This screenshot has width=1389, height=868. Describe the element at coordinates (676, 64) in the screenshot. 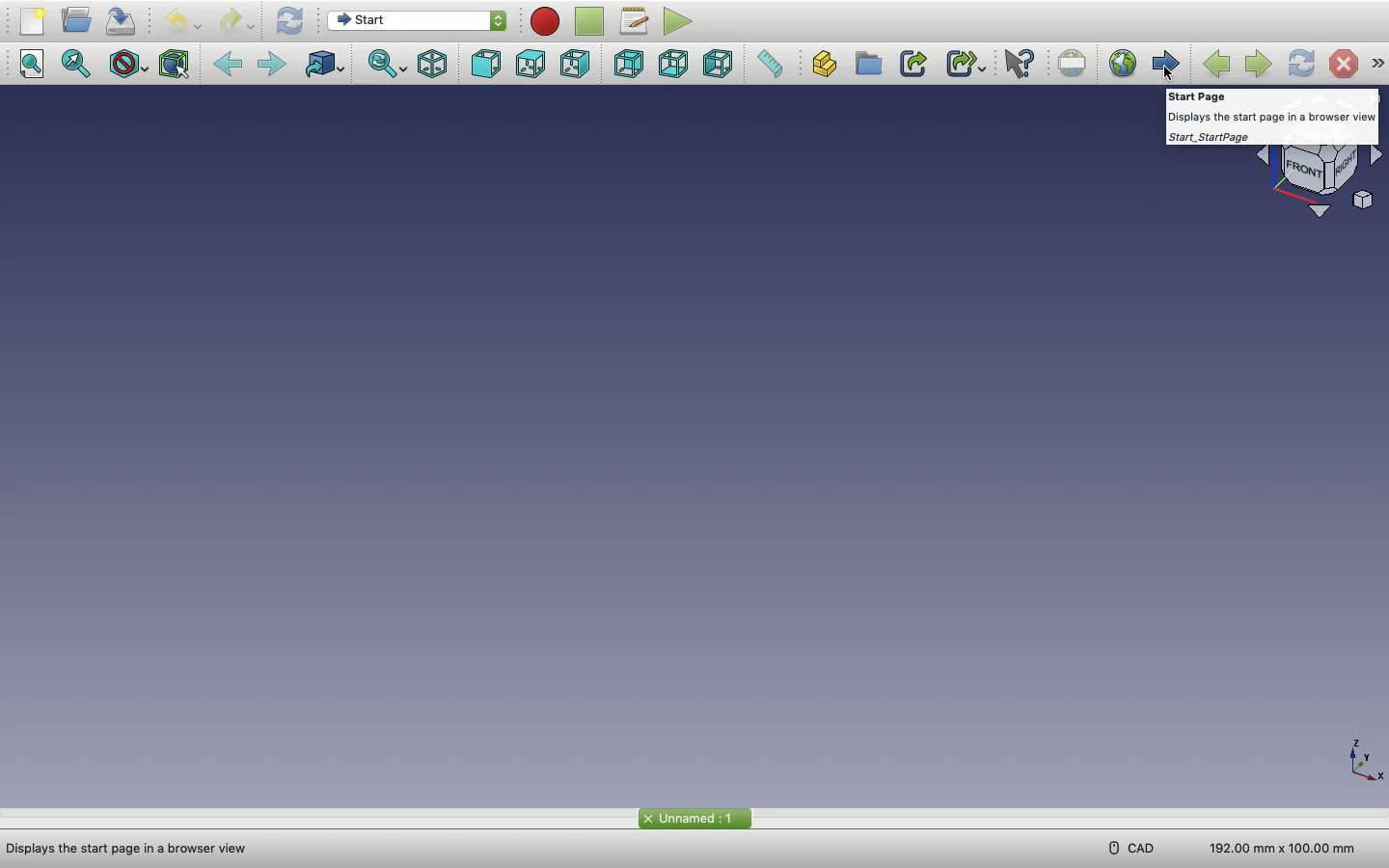

I see `Bottom` at that location.